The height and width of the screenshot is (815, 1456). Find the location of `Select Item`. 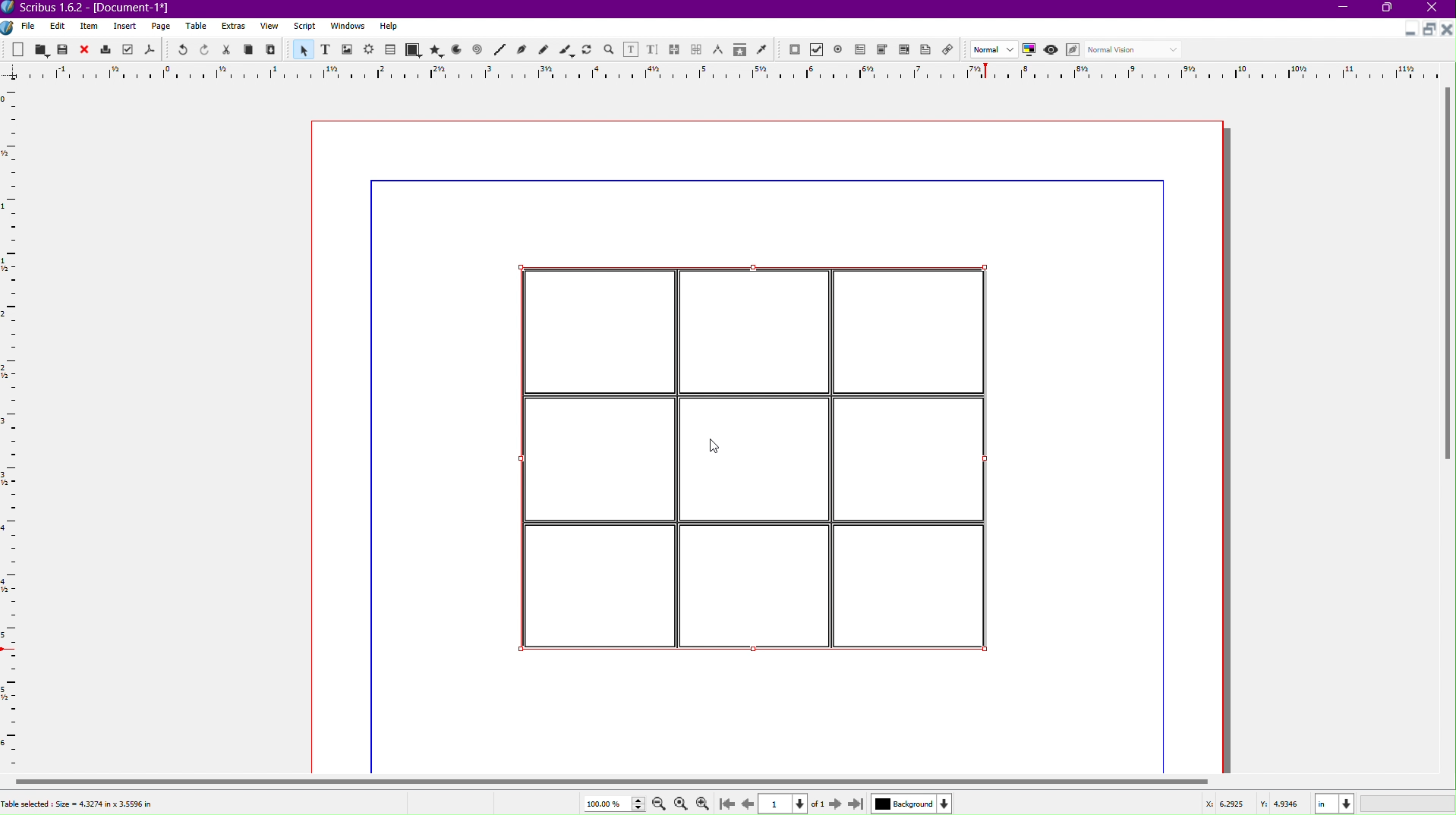

Select Item is located at coordinates (301, 49).